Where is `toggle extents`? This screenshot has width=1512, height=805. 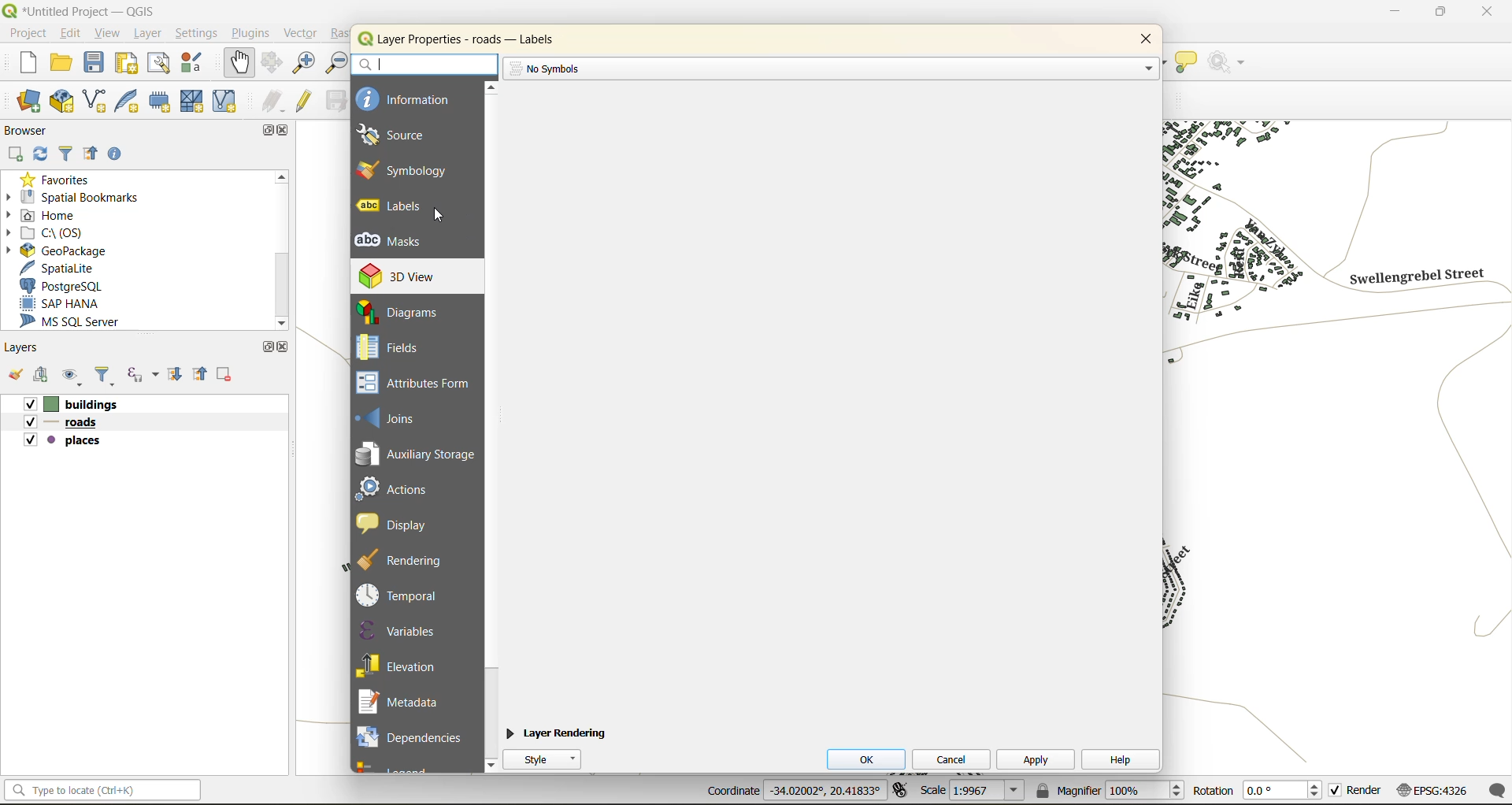 toggle extents is located at coordinates (900, 788).